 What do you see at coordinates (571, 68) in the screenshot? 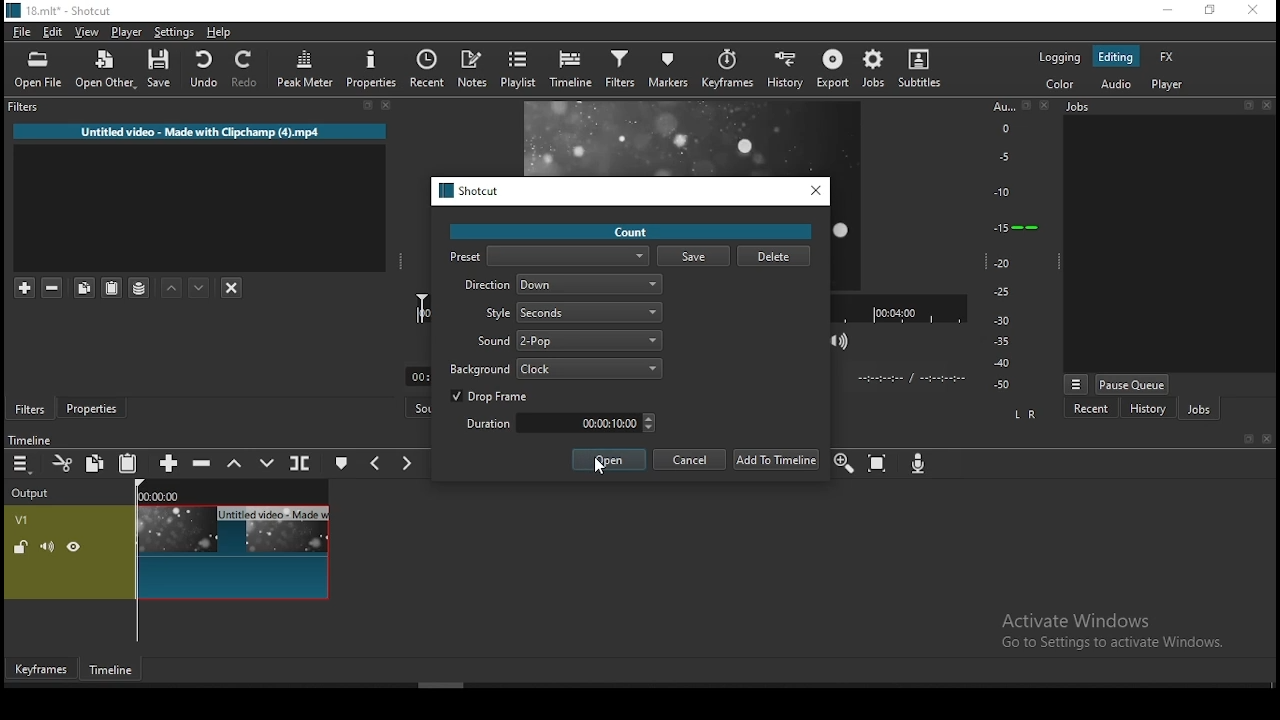
I see `timeline` at bounding box center [571, 68].